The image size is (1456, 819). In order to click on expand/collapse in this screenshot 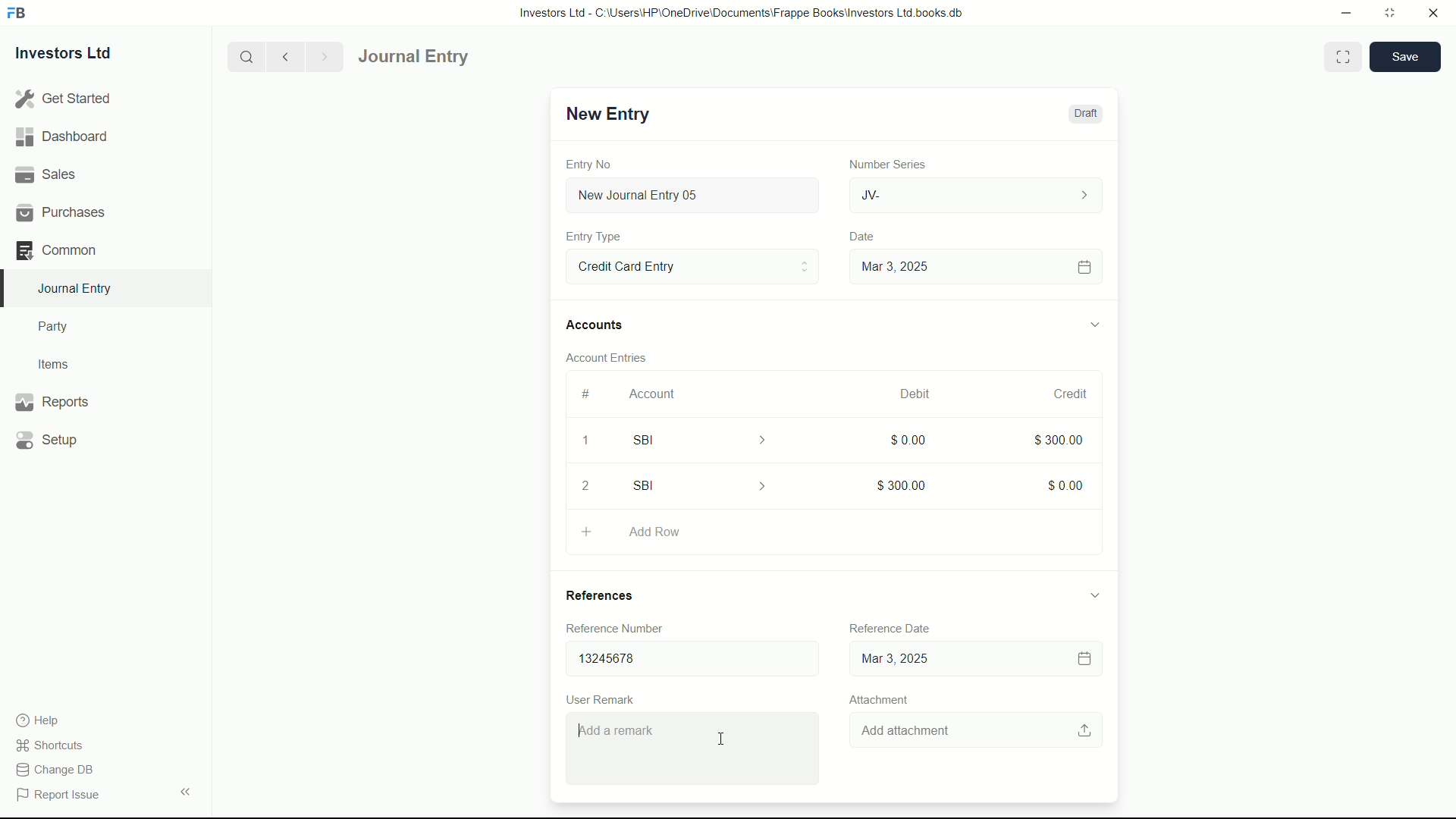, I will do `click(1094, 594)`.